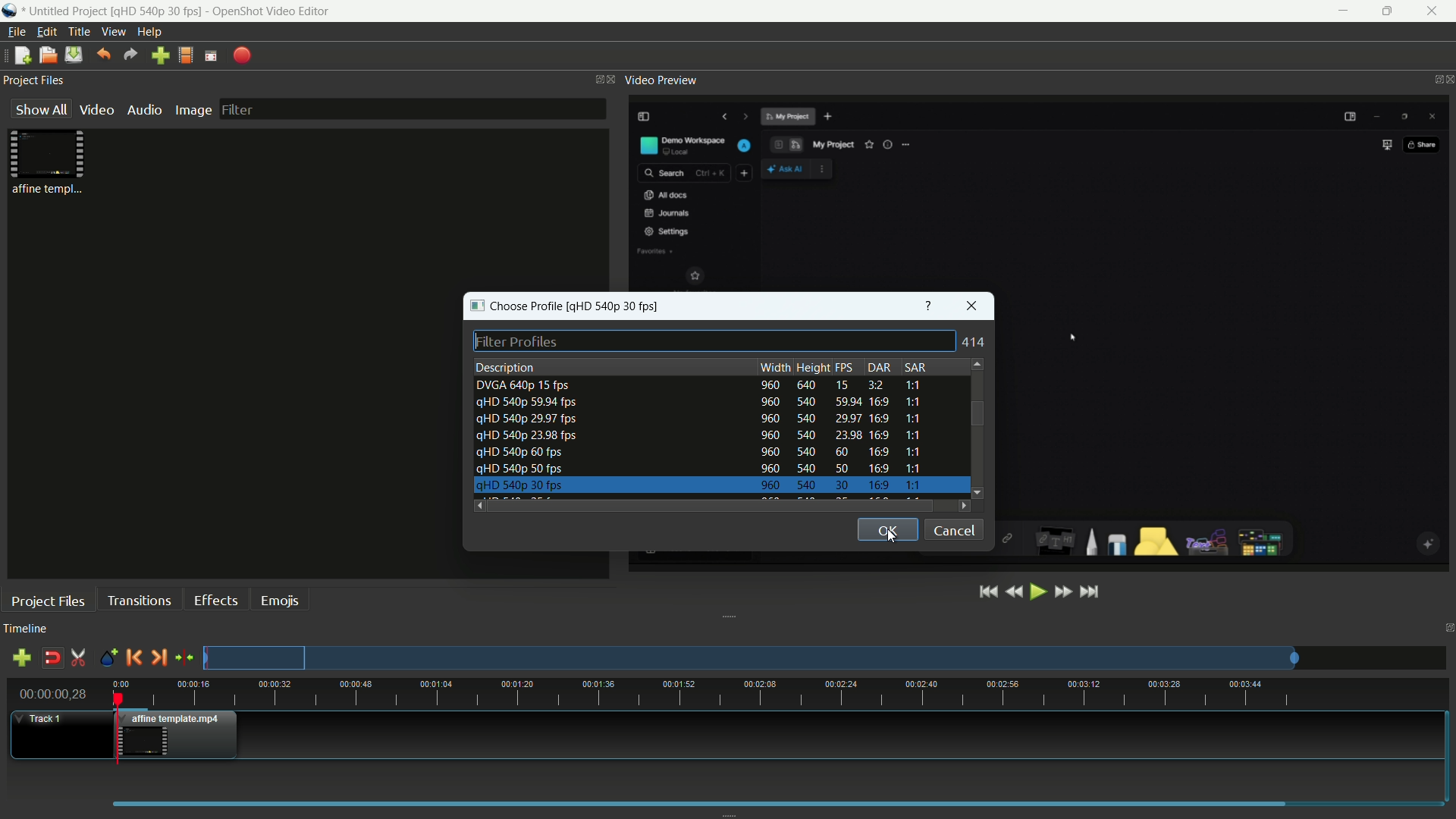  I want to click on fps, so click(849, 368).